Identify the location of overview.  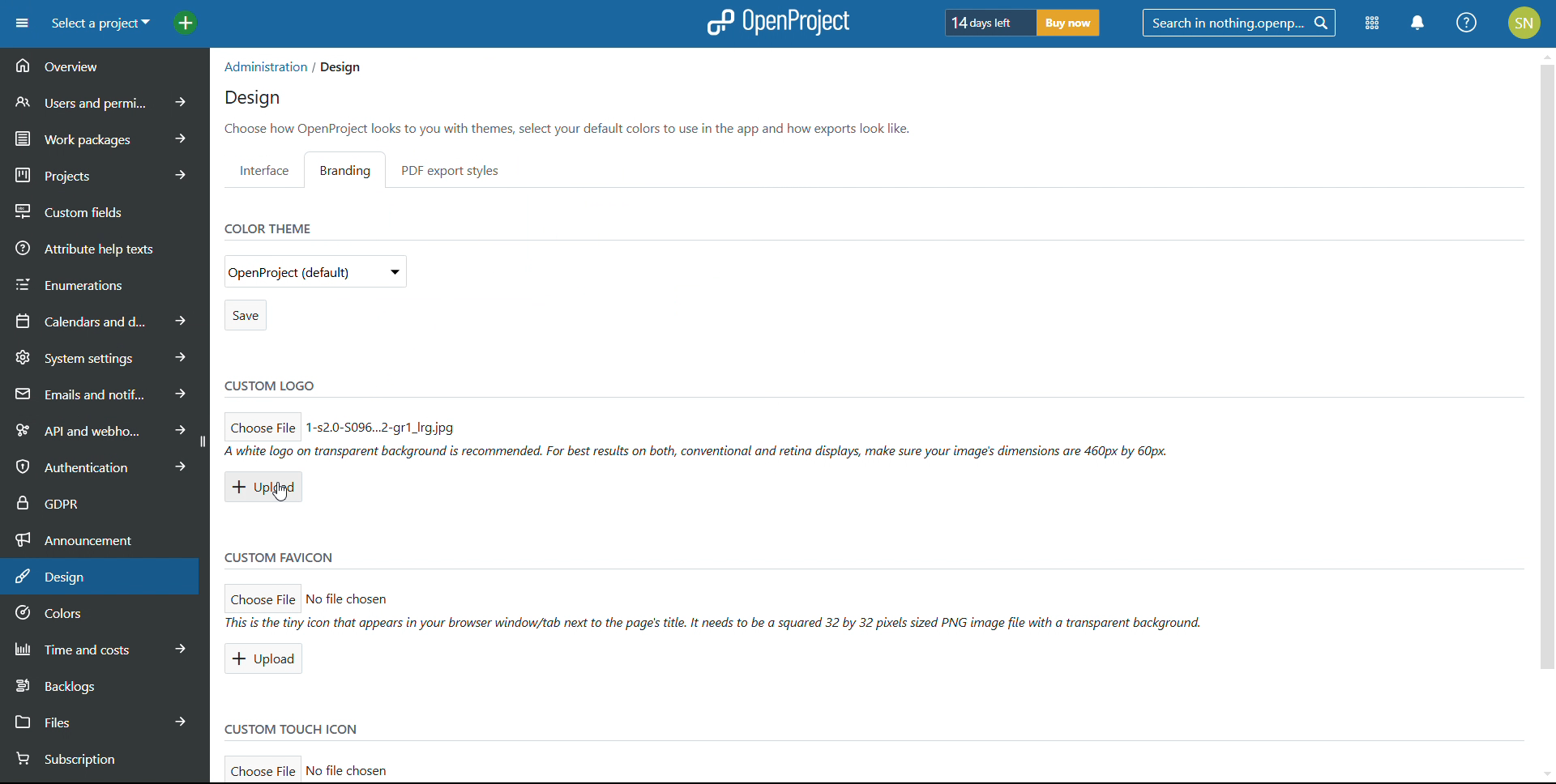
(104, 66).